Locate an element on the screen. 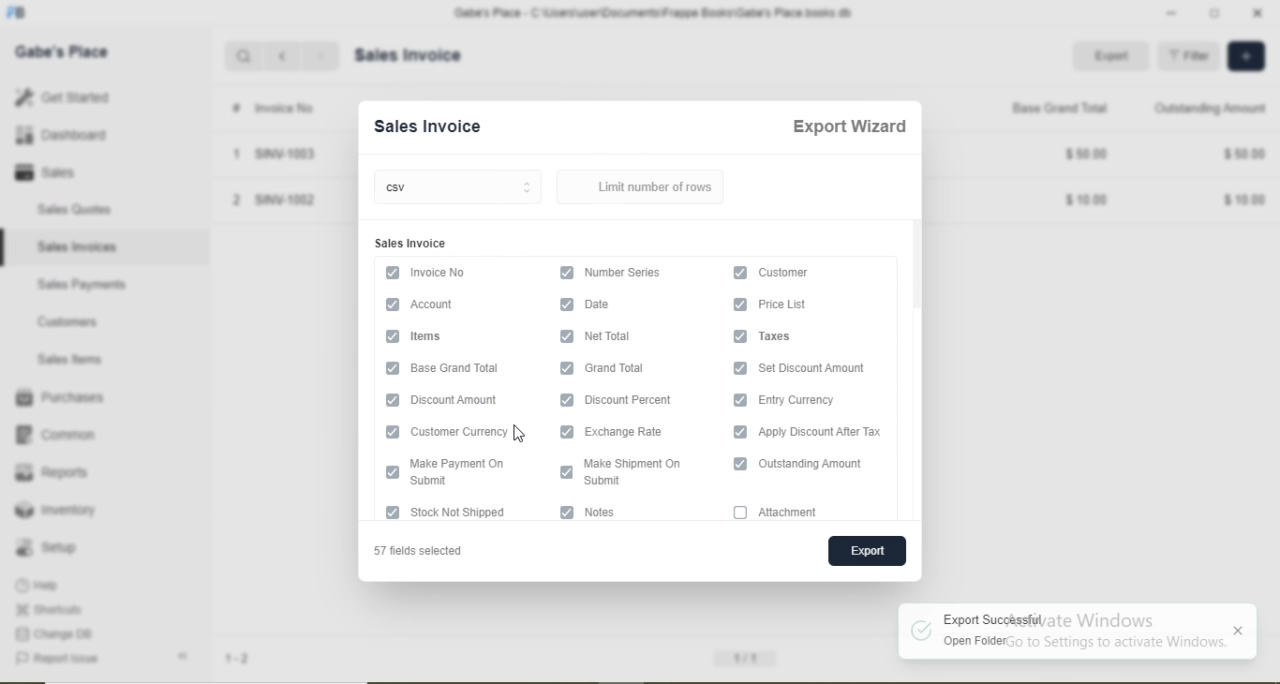  ‘Net Total is located at coordinates (622, 336).